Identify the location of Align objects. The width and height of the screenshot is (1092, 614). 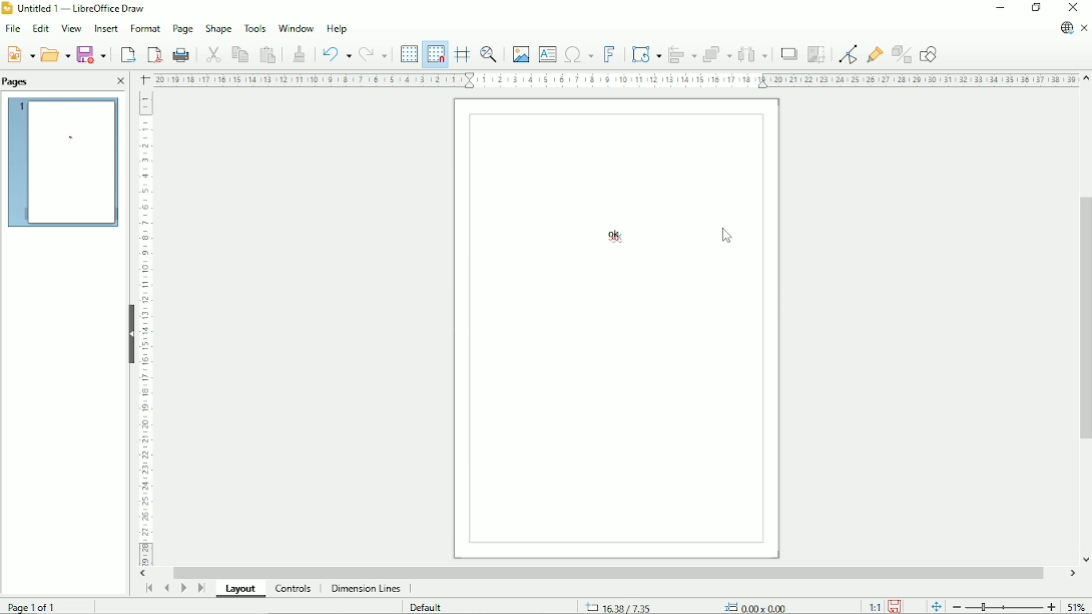
(681, 54).